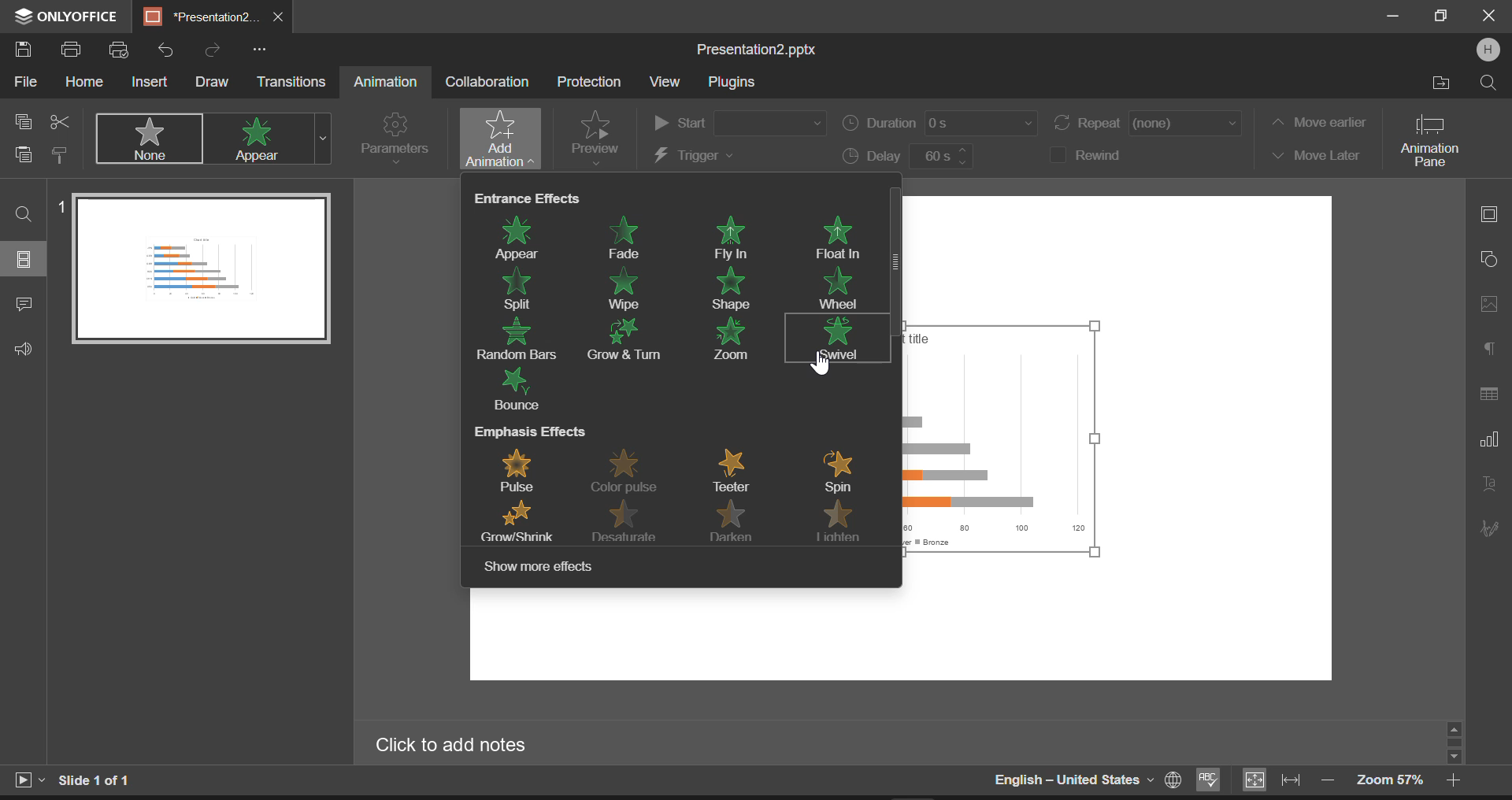  Describe the element at coordinates (836, 336) in the screenshot. I see `Swivel` at that location.